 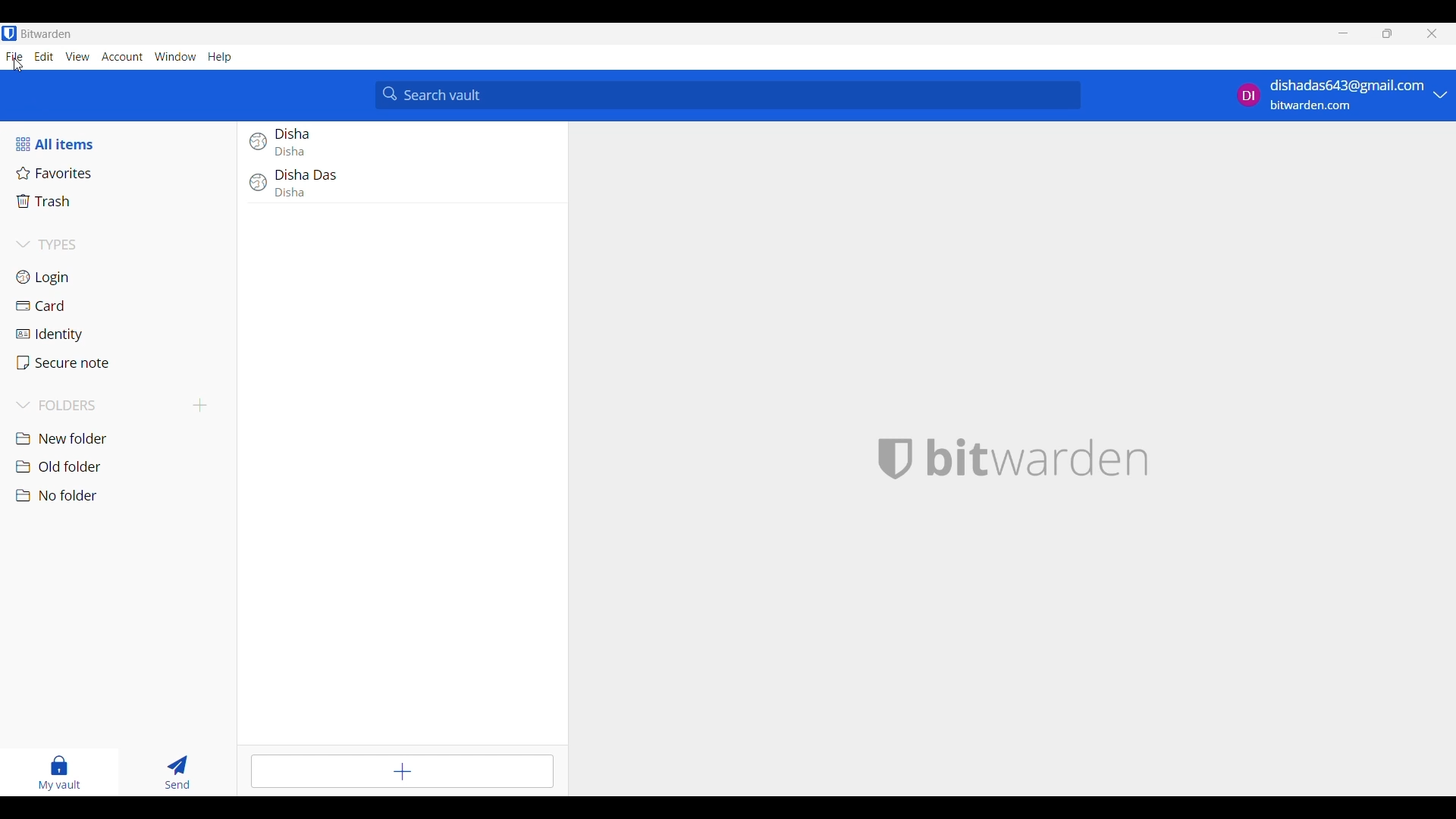 What do you see at coordinates (178, 773) in the screenshot?
I see `Send` at bounding box center [178, 773].